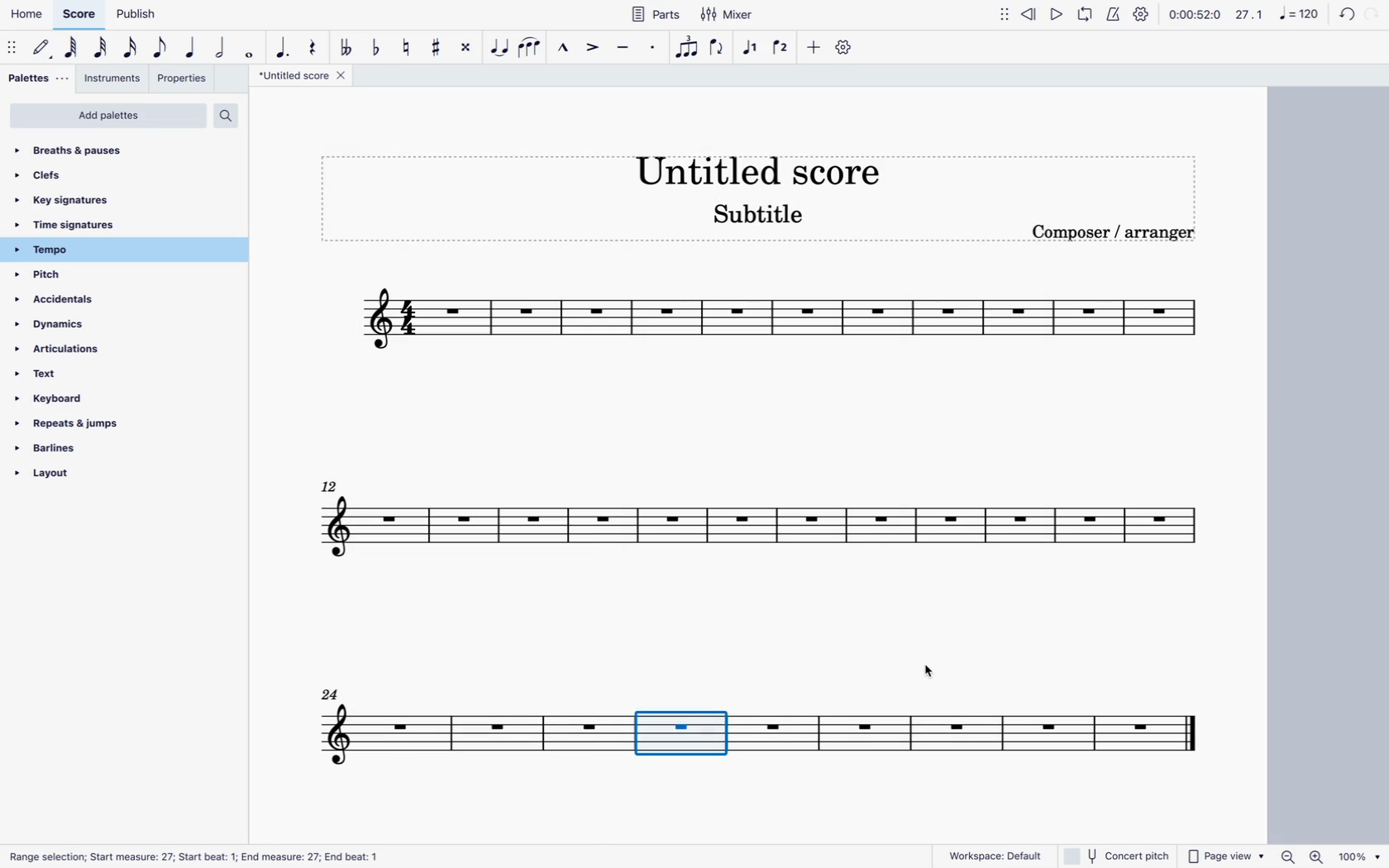 This screenshot has height=868, width=1389. I want to click on toggle flat, so click(379, 47).